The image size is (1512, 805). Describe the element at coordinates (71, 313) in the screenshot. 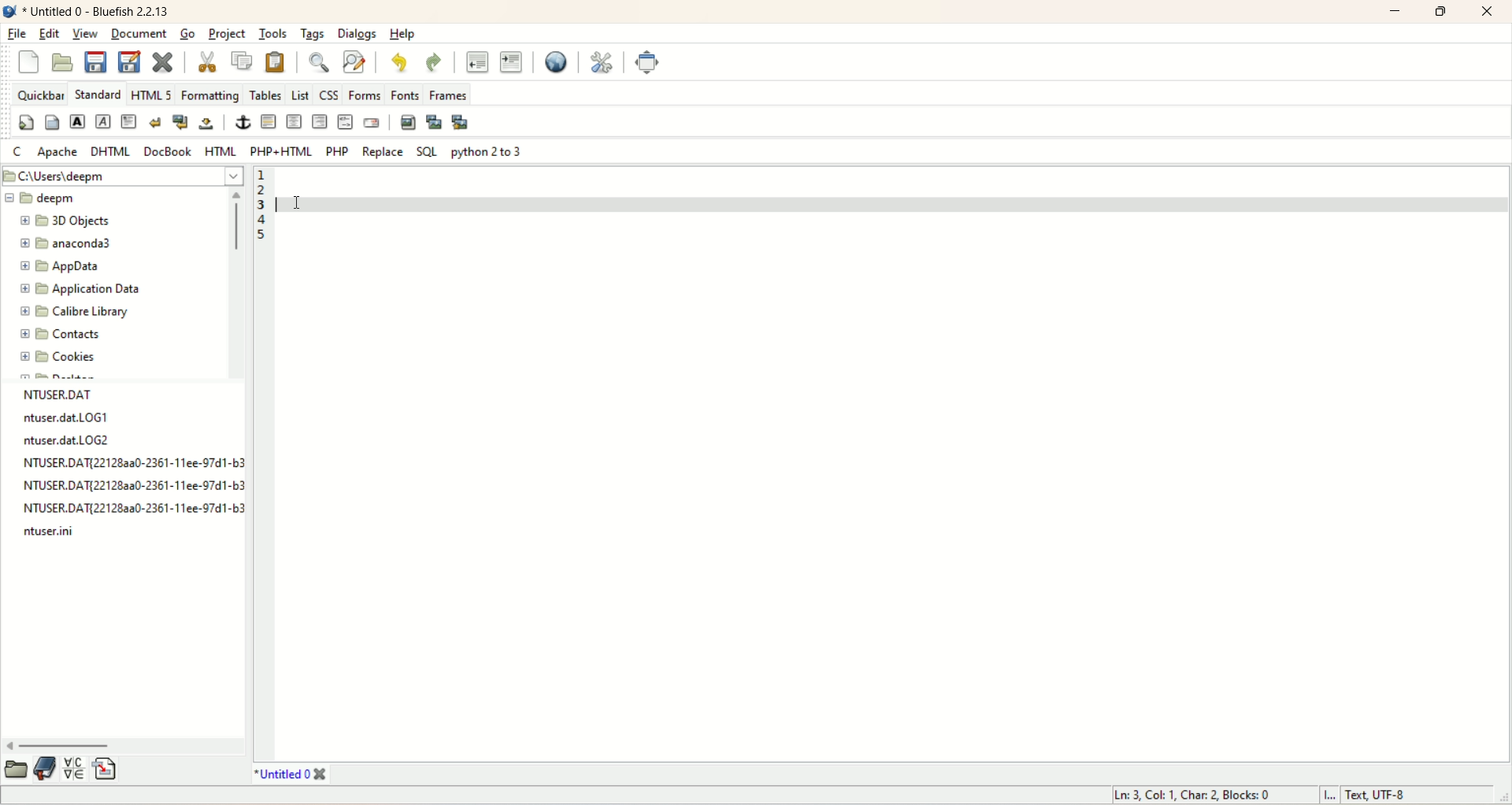

I see `calibre` at that location.